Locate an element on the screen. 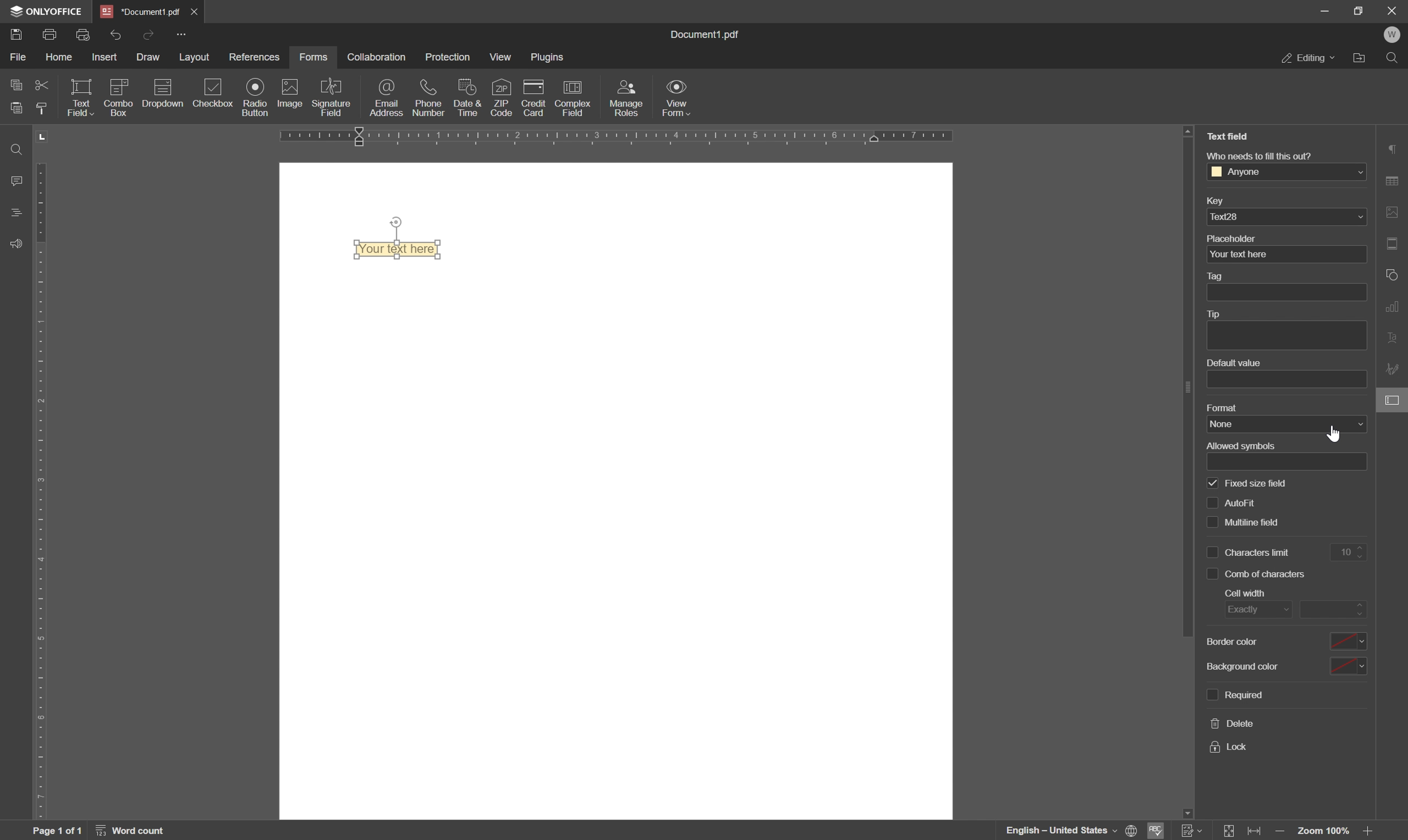 This screenshot has height=840, width=1408. date and time is located at coordinates (470, 99).